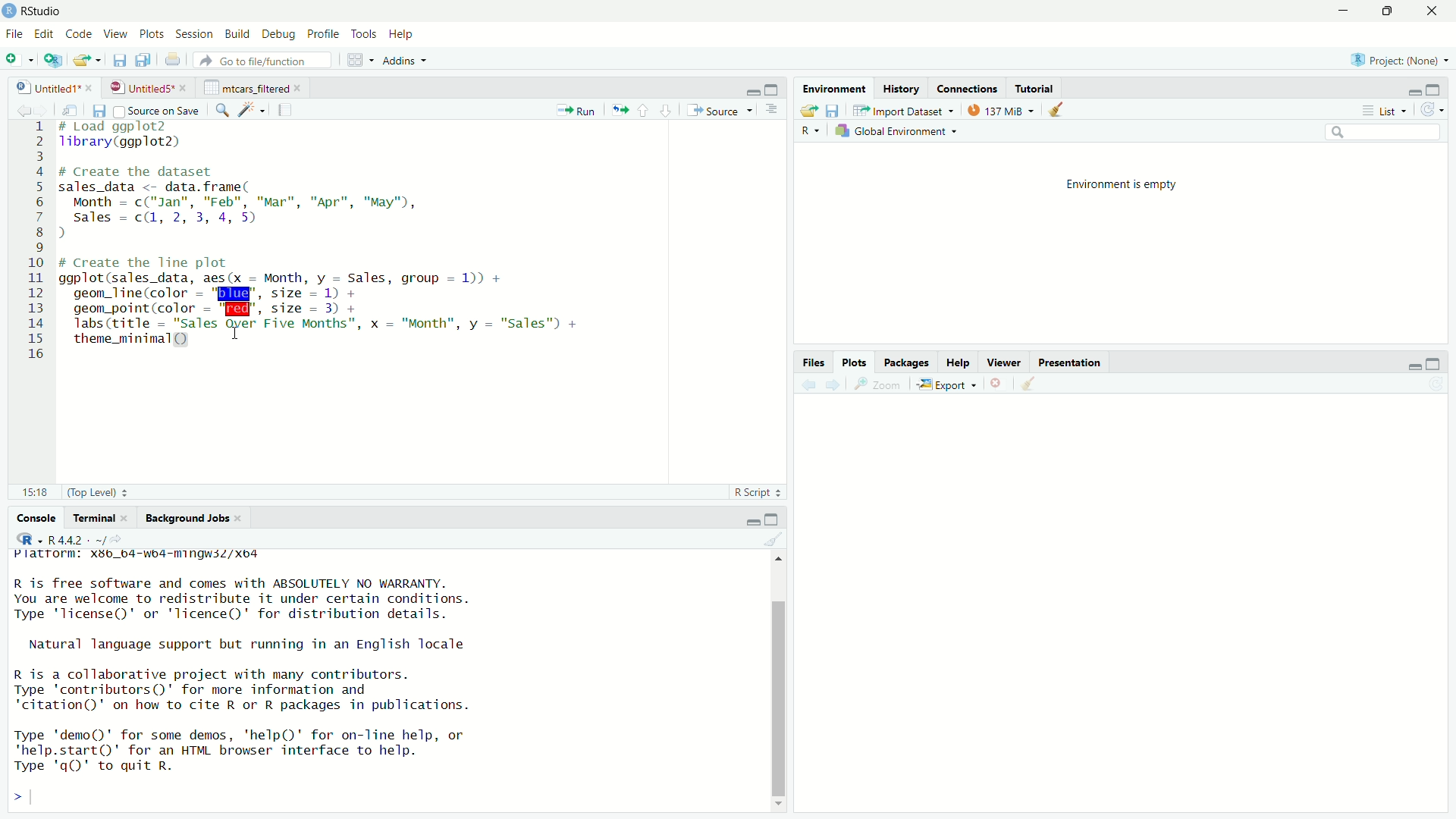 Image resolution: width=1456 pixels, height=819 pixels. I want to click on cursor, so click(235, 334).